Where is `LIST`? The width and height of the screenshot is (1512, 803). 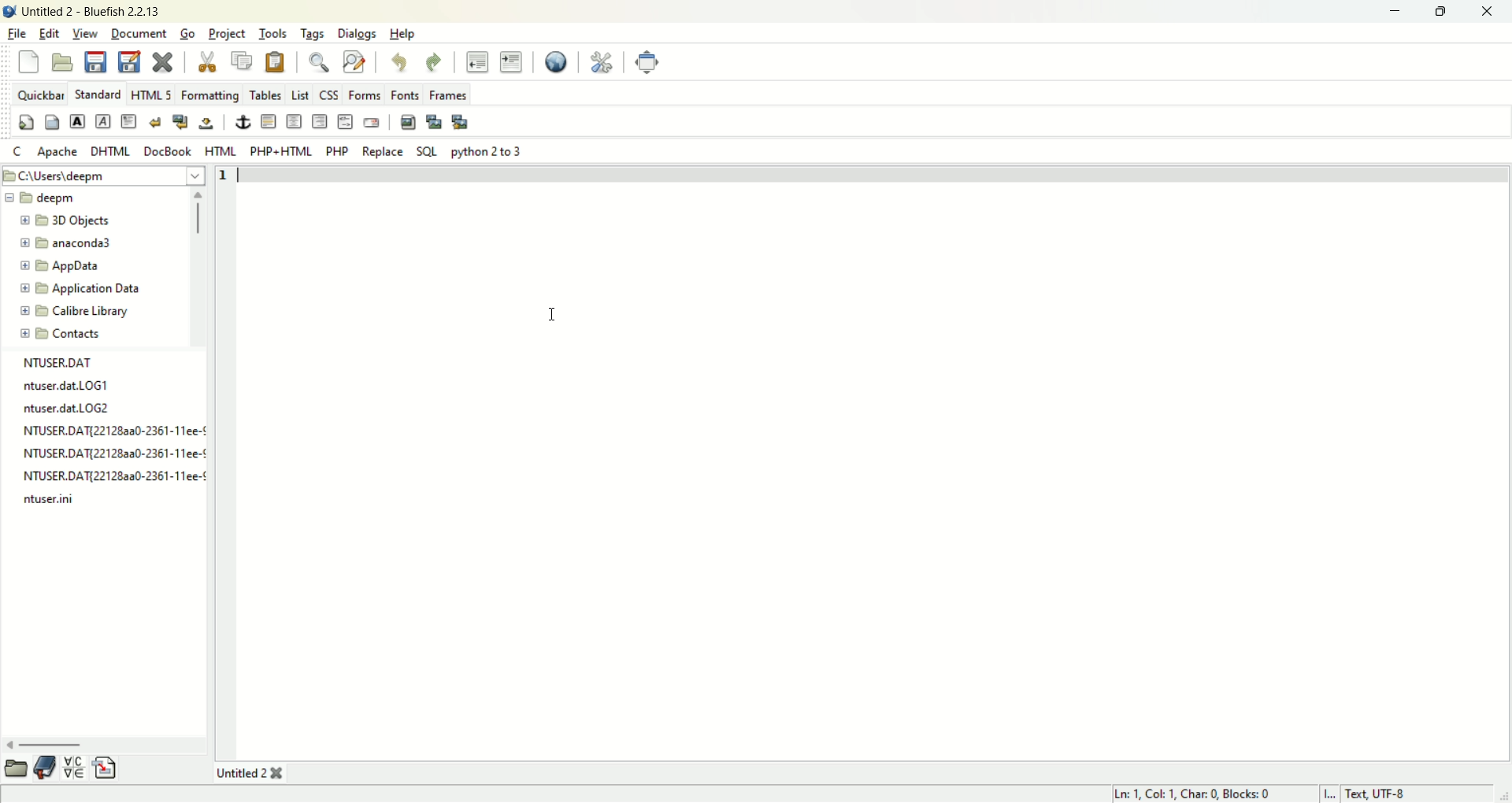 LIST is located at coordinates (298, 92).